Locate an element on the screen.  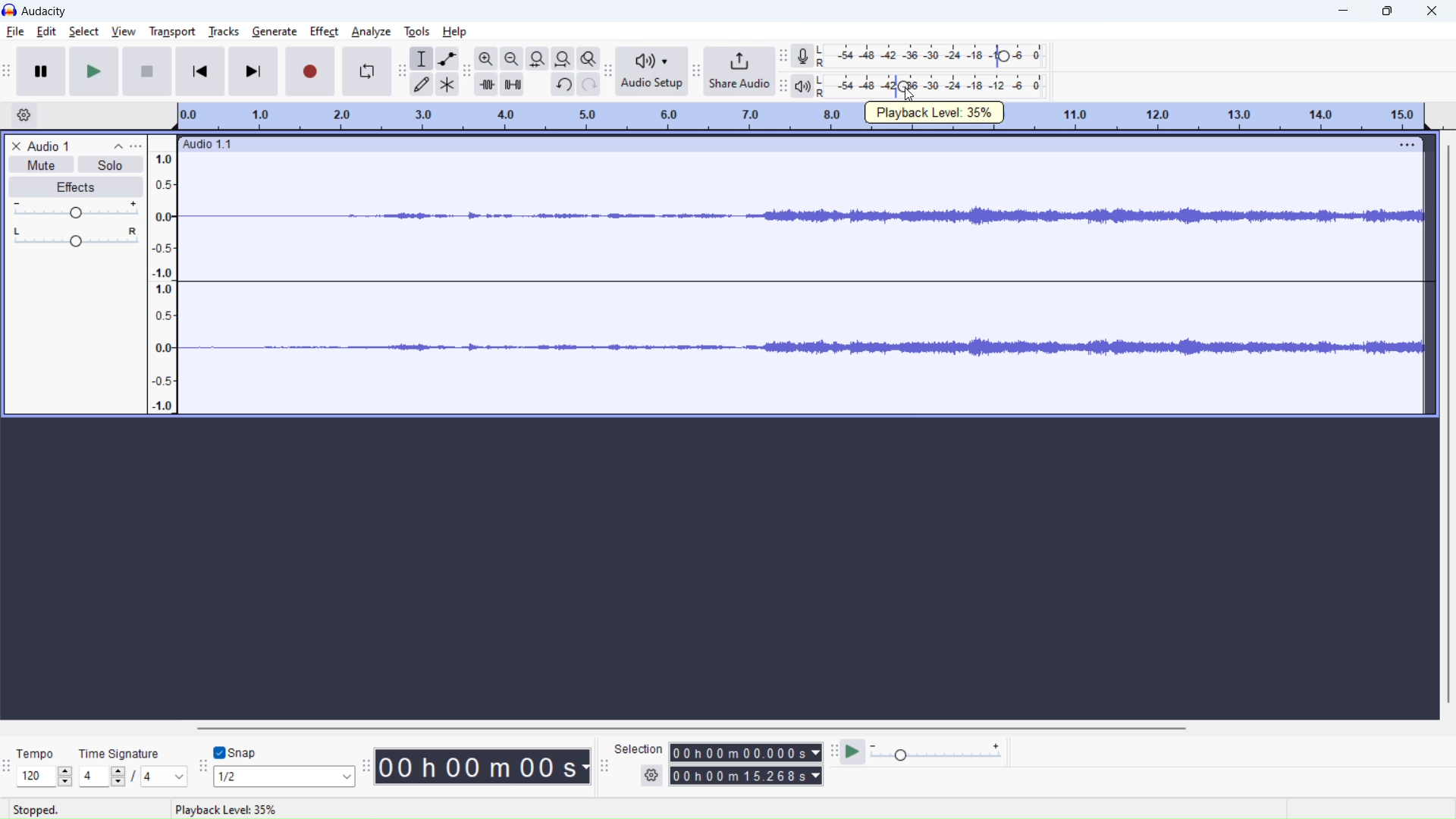
playback meter is located at coordinates (802, 86).